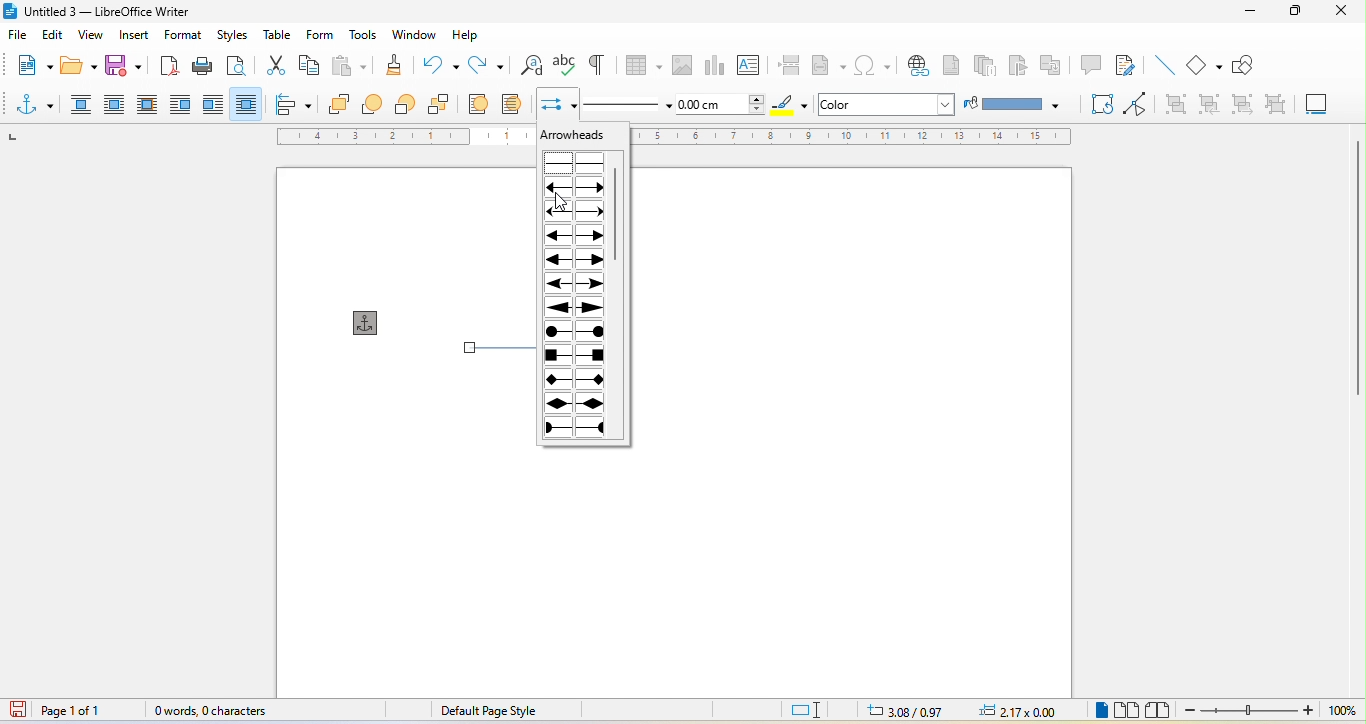 This screenshot has width=1366, height=724. What do you see at coordinates (75, 67) in the screenshot?
I see `open` at bounding box center [75, 67].